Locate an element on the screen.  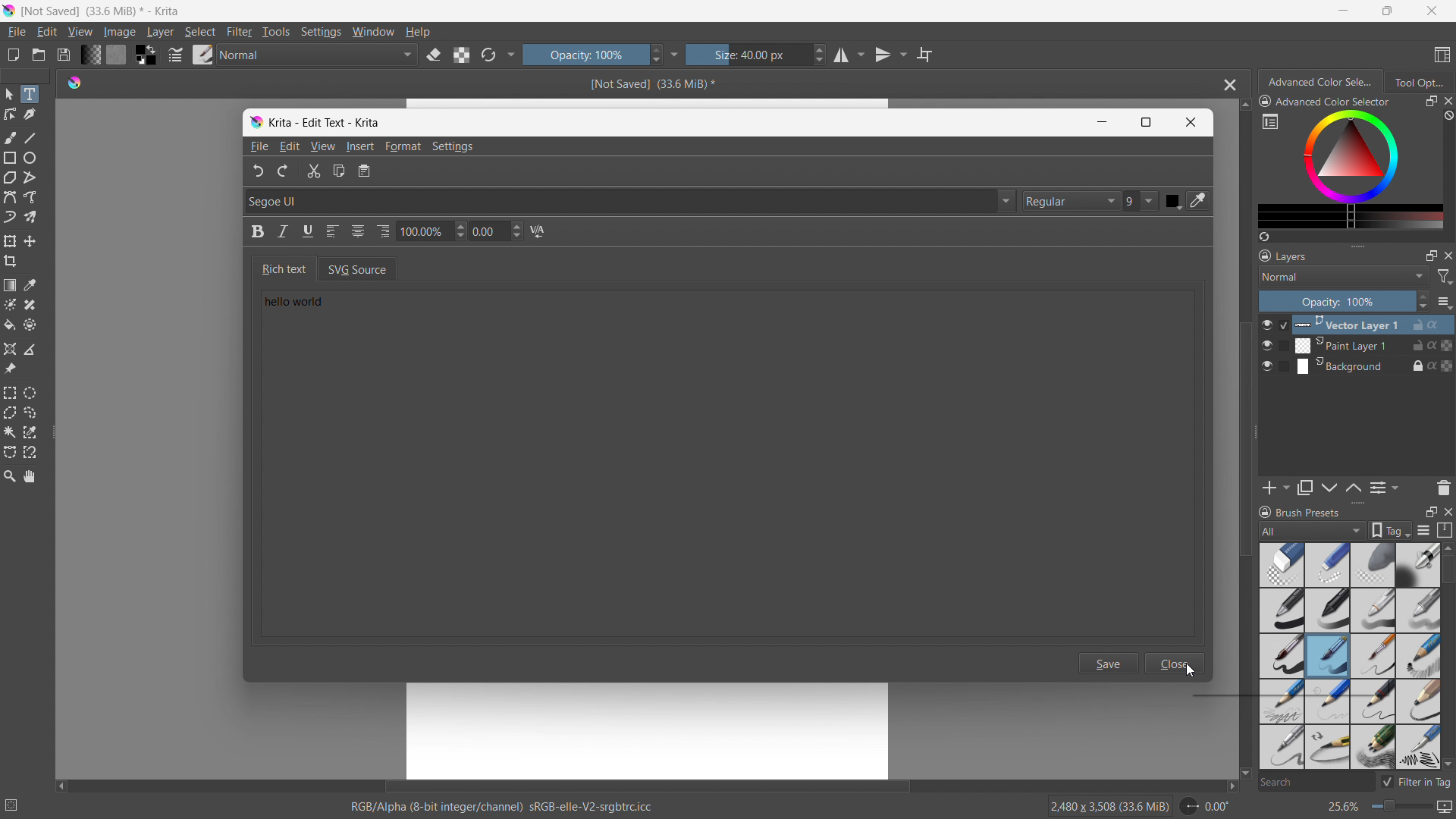
more settings is located at coordinates (1270, 121).